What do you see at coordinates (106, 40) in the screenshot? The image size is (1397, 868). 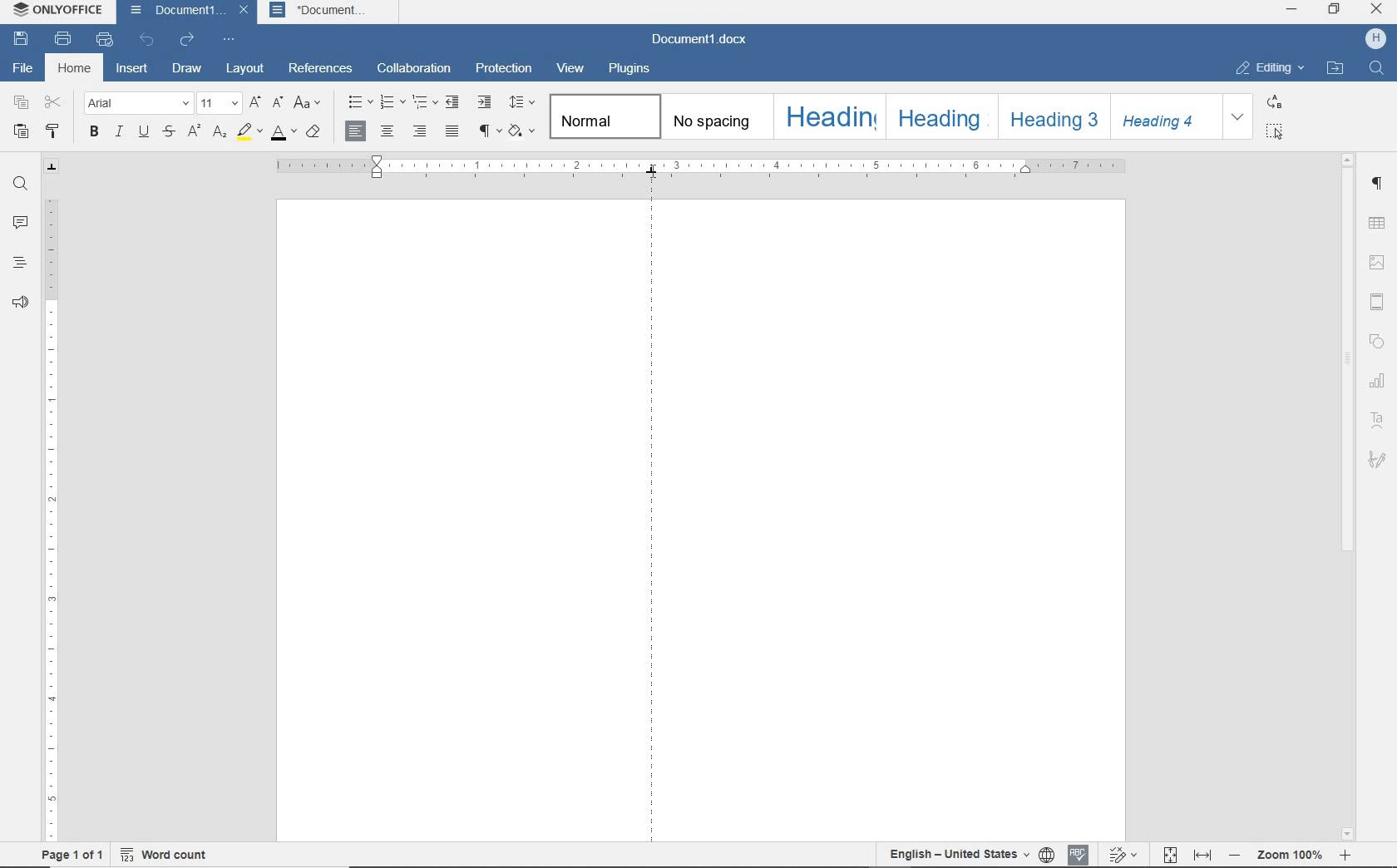 I see `QUICK PRINT` at bounding box center [106, 40].